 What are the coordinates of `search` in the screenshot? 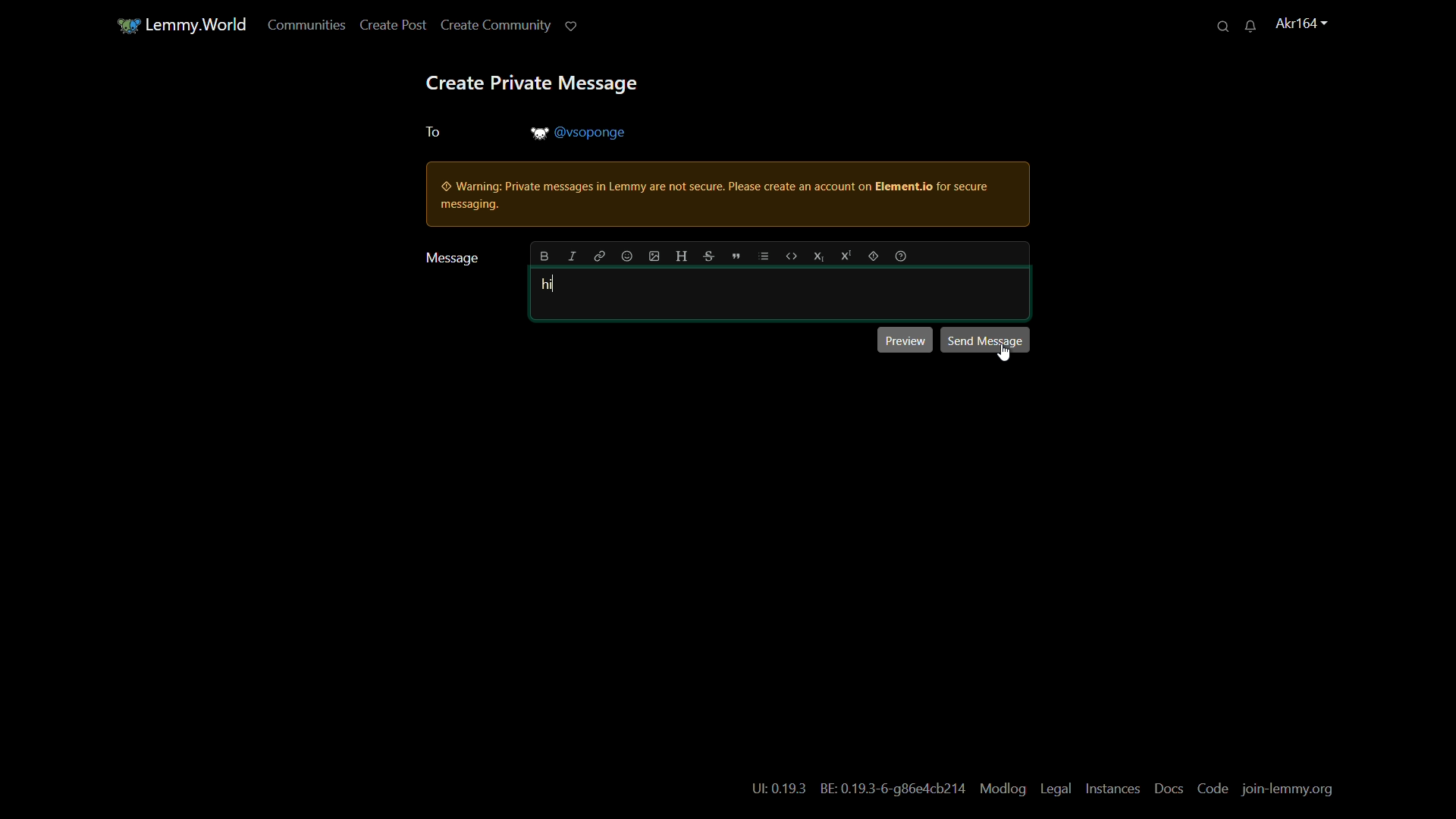 It's located at (1216, 25).